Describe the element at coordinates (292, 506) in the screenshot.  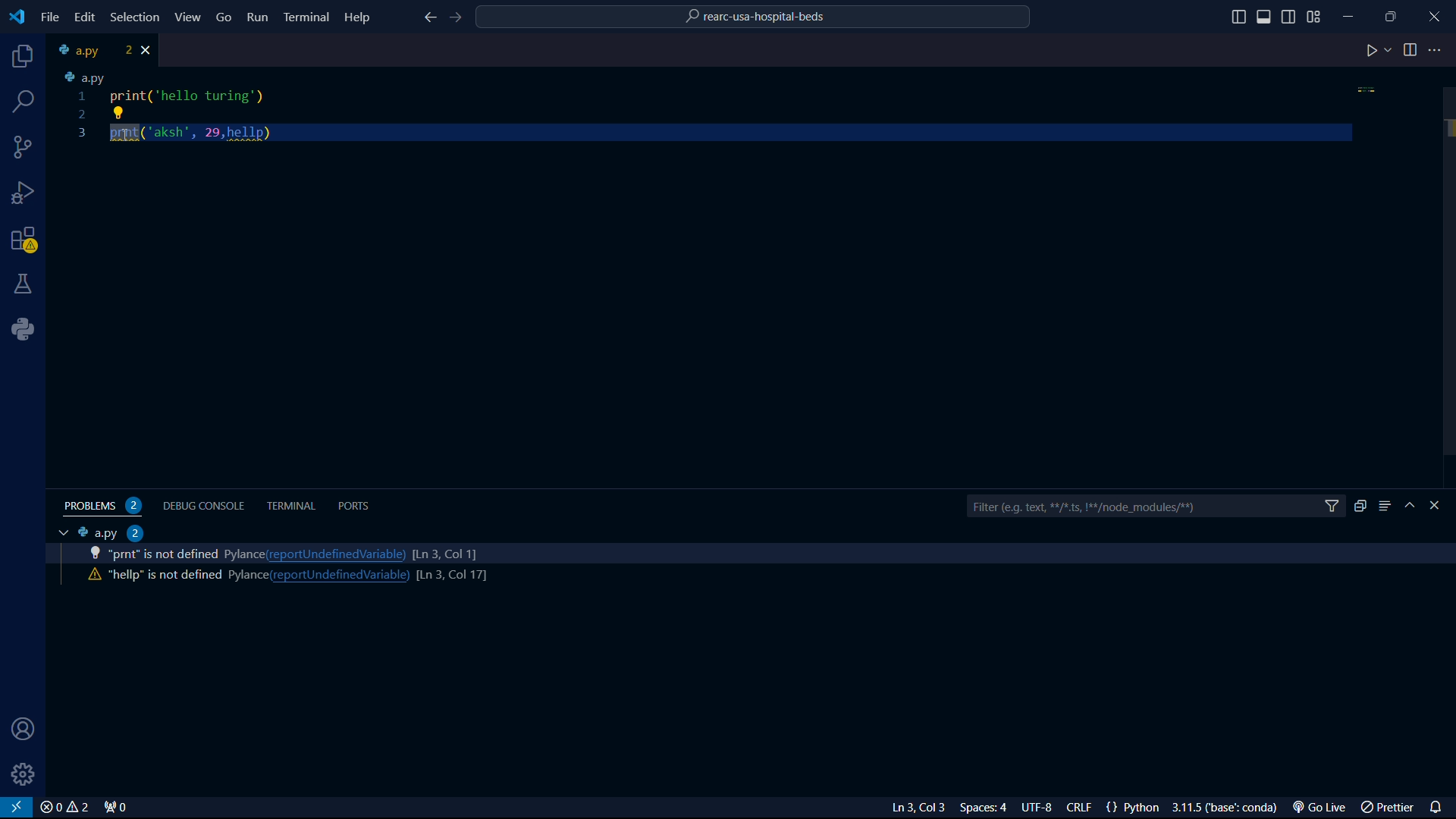
I see `terminal` at that location.